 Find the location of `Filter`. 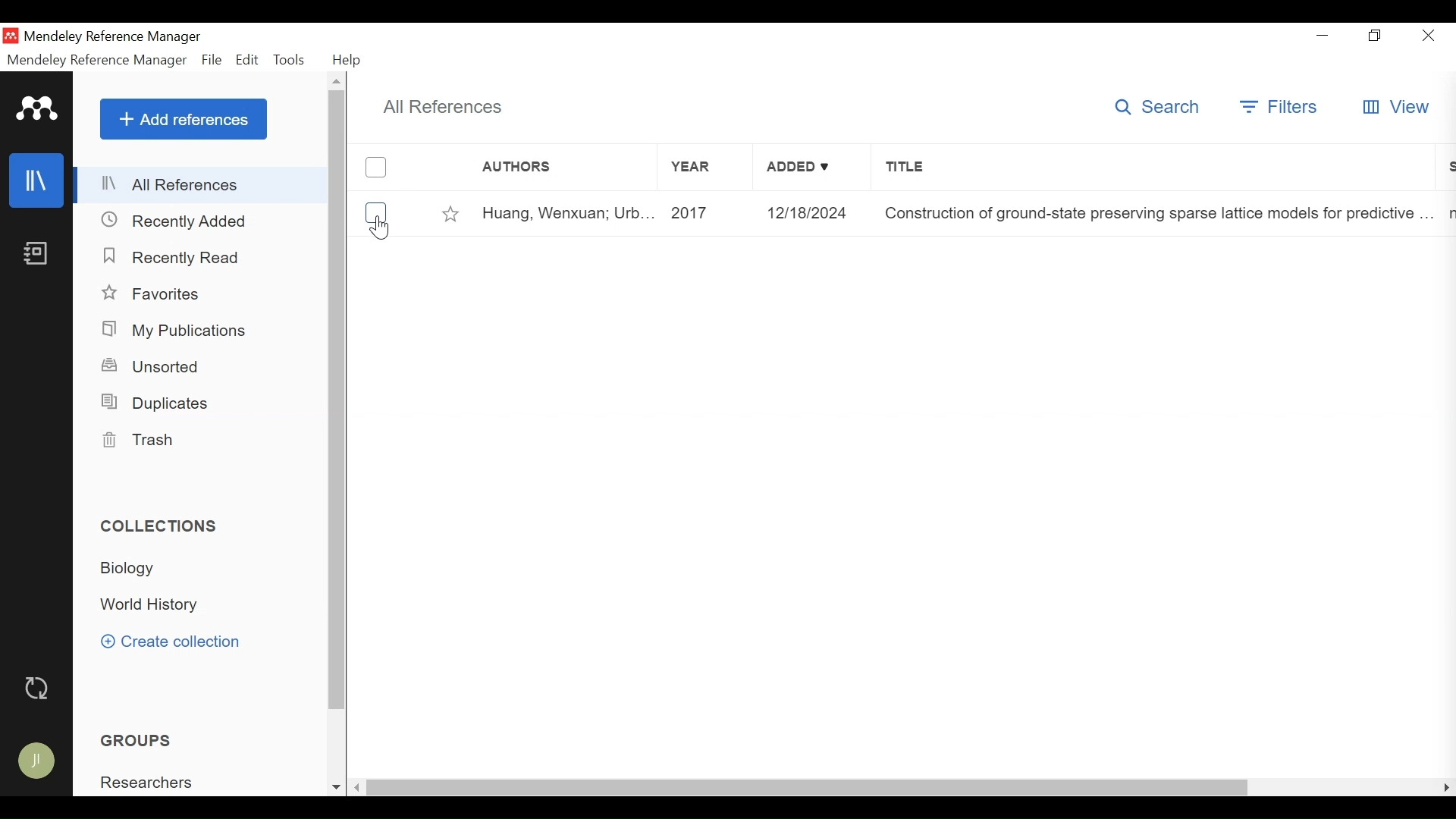

Filter is located at coordinates (1272, 108).